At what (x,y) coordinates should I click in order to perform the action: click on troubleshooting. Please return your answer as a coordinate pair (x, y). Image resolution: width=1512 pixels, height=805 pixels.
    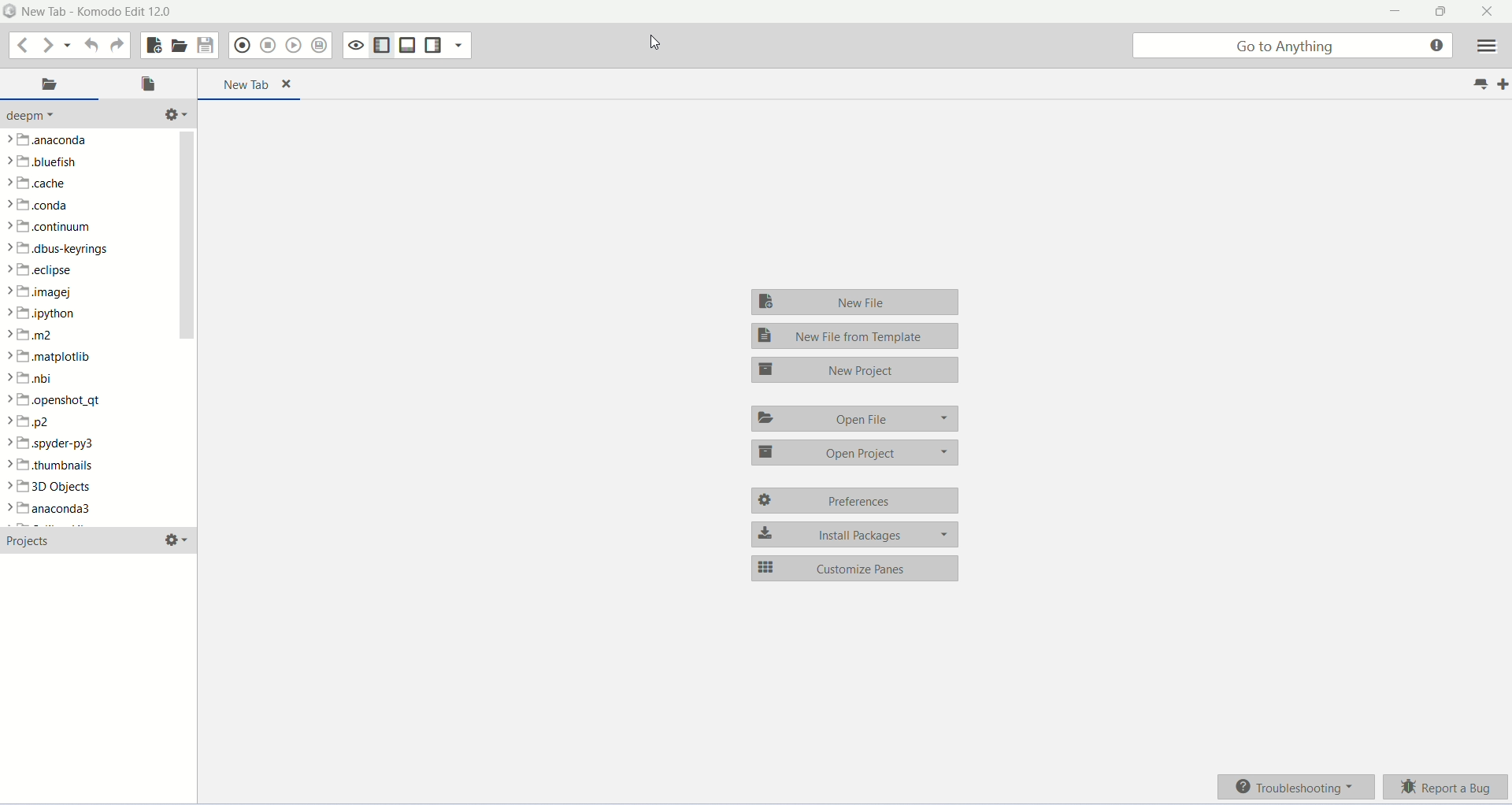
    Looking at the image, I should click on (1298, 789).